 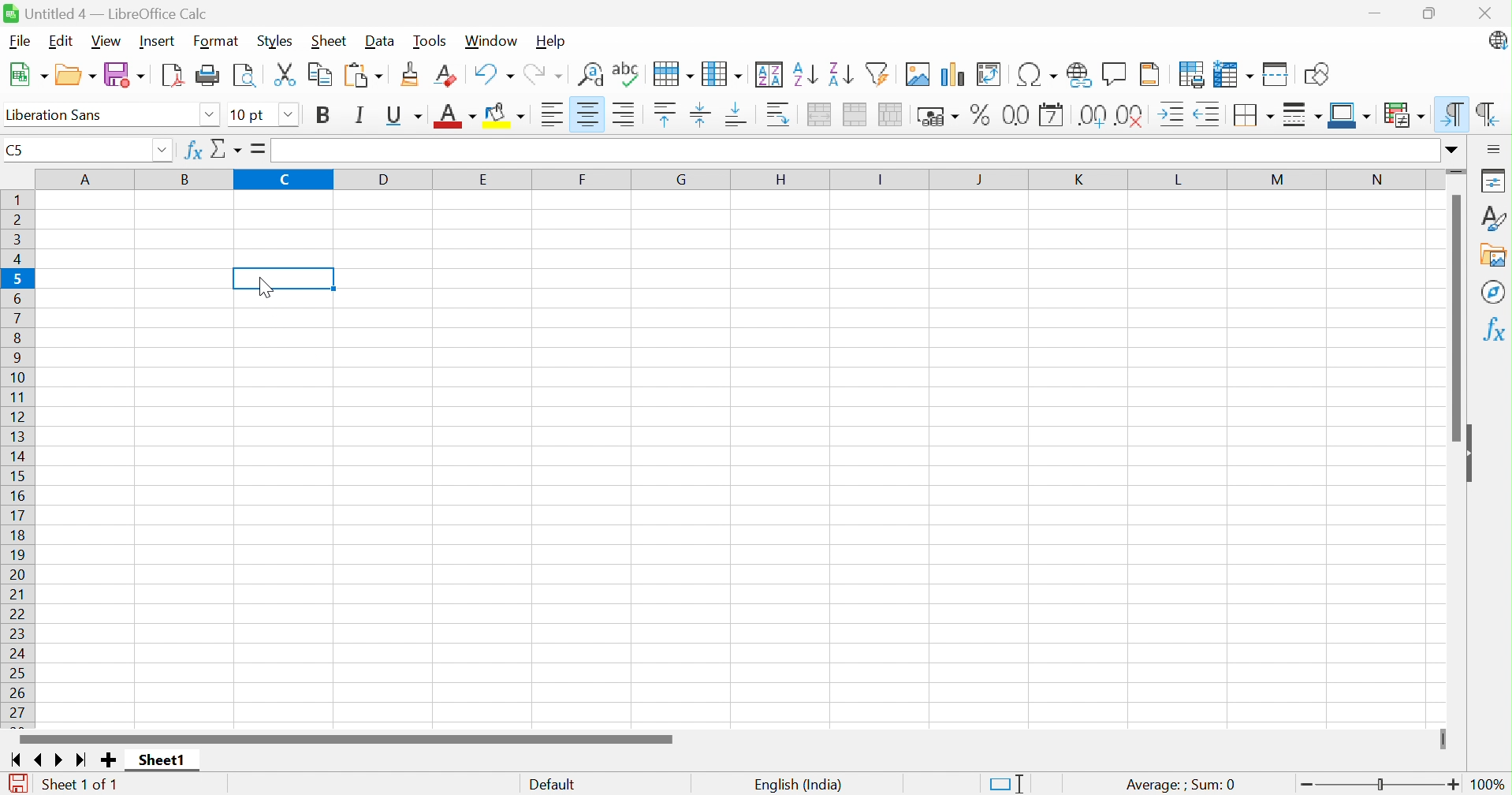 What do you see at coordinates (1493, 216) in the screenshot?
I see `Styles` at bounding box center [1493, 216].